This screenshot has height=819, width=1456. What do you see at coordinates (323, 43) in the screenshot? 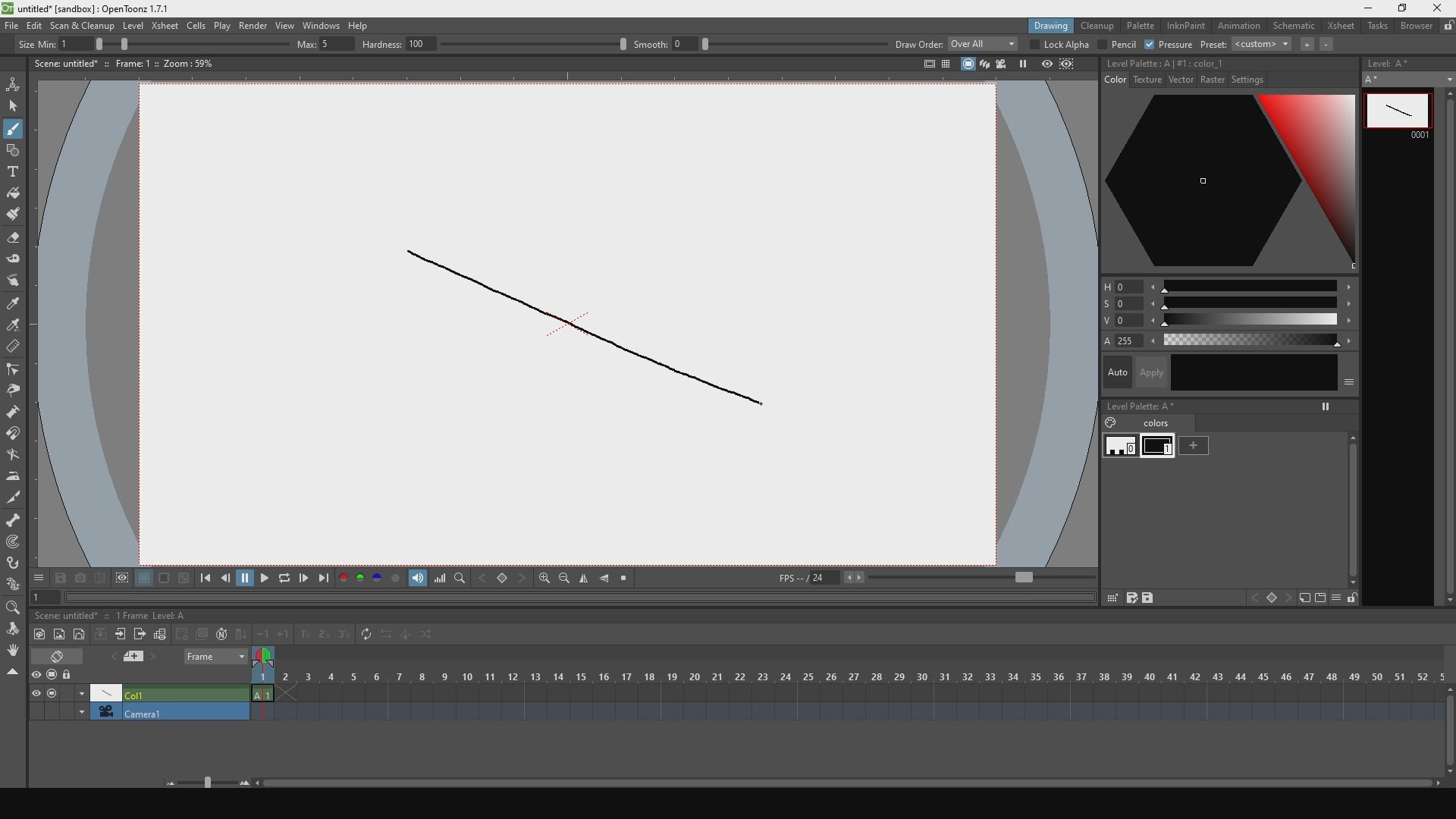
I see `max` at bounding box center [323, 43].